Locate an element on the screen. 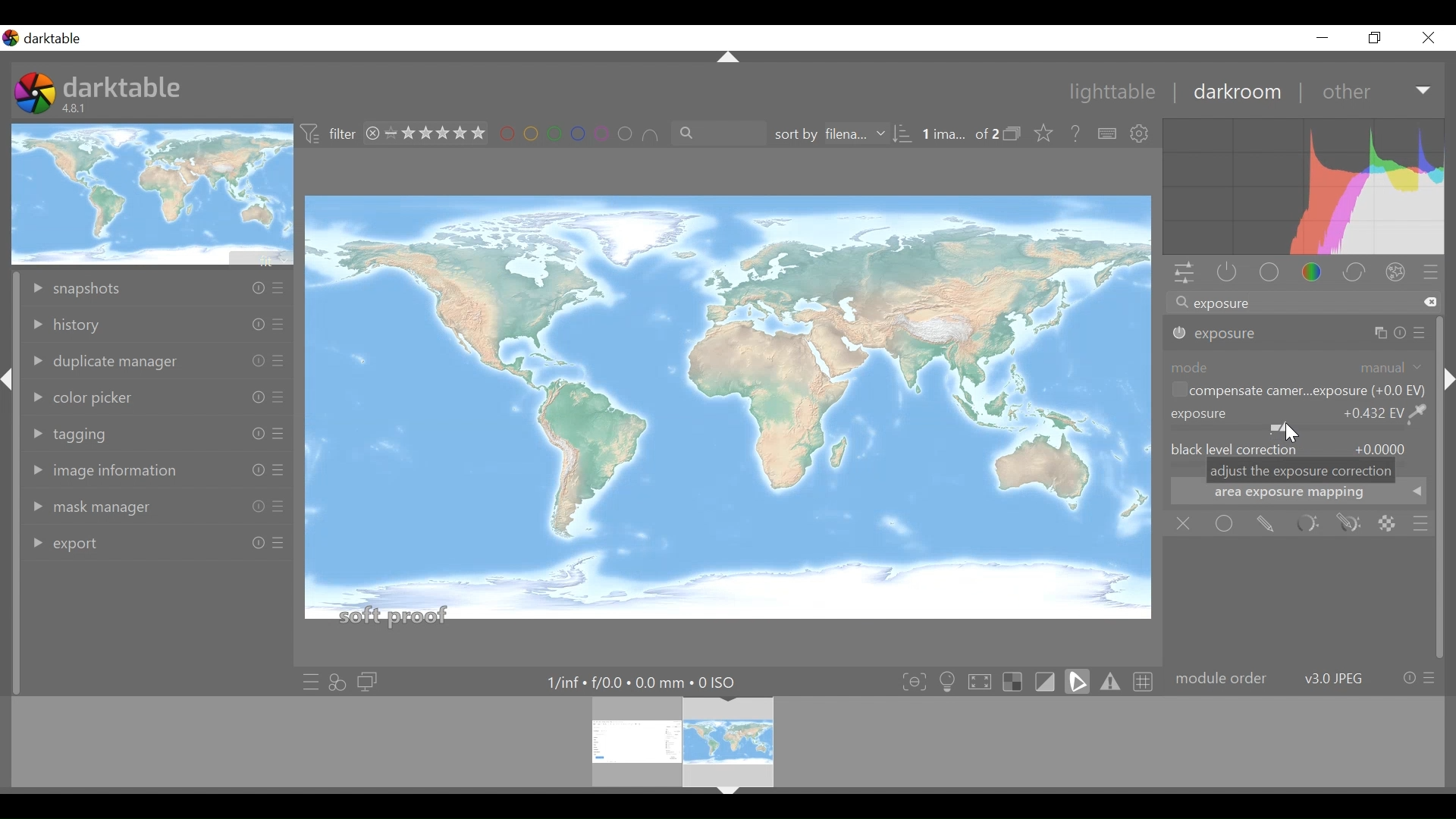  quick access panel is located at coordinates (1181, 275).